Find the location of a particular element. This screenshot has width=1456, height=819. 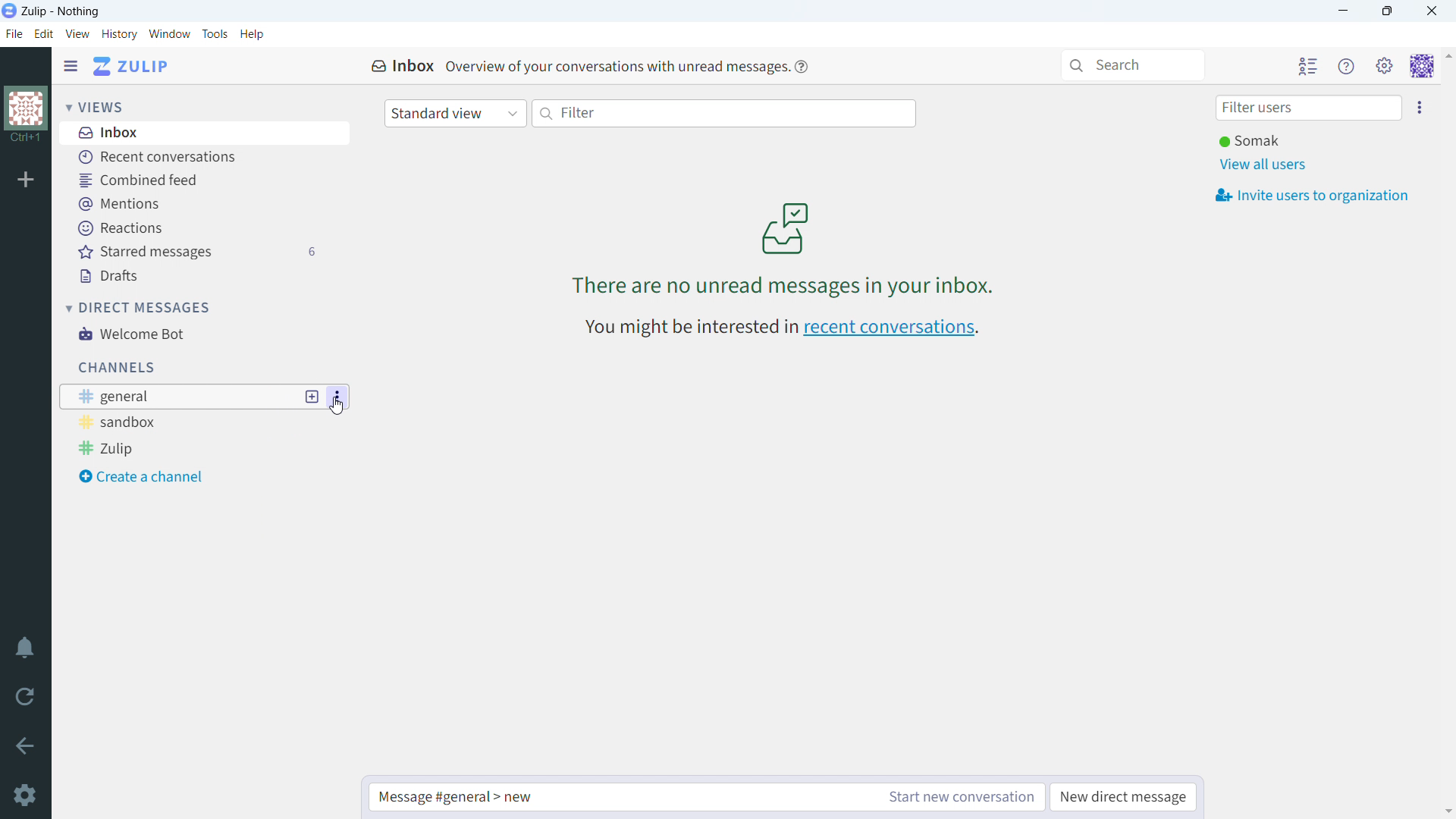

view is located at coordinates (77, 33).